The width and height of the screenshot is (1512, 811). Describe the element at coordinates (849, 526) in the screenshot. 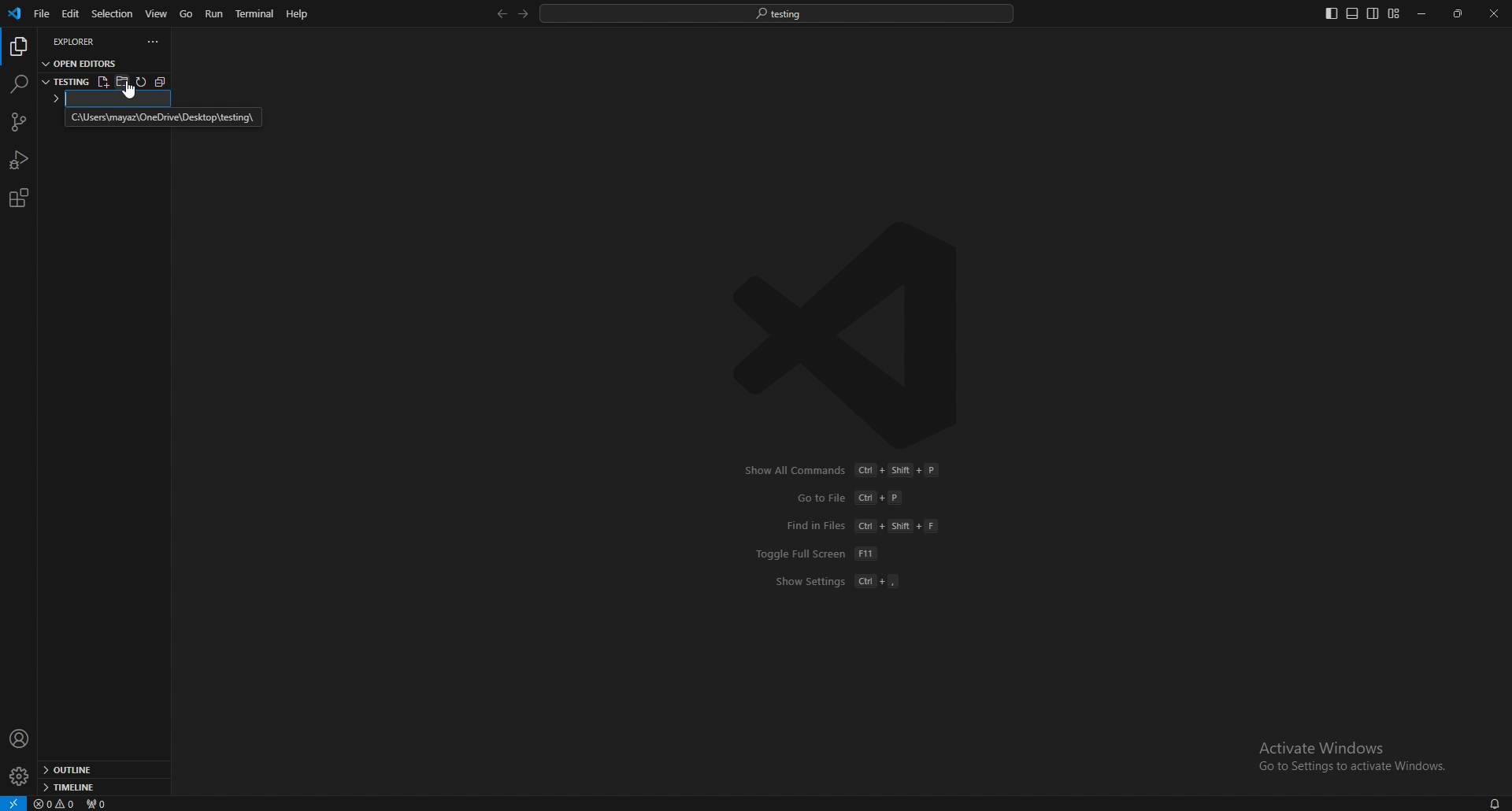

I see `shortcuts` at that location.